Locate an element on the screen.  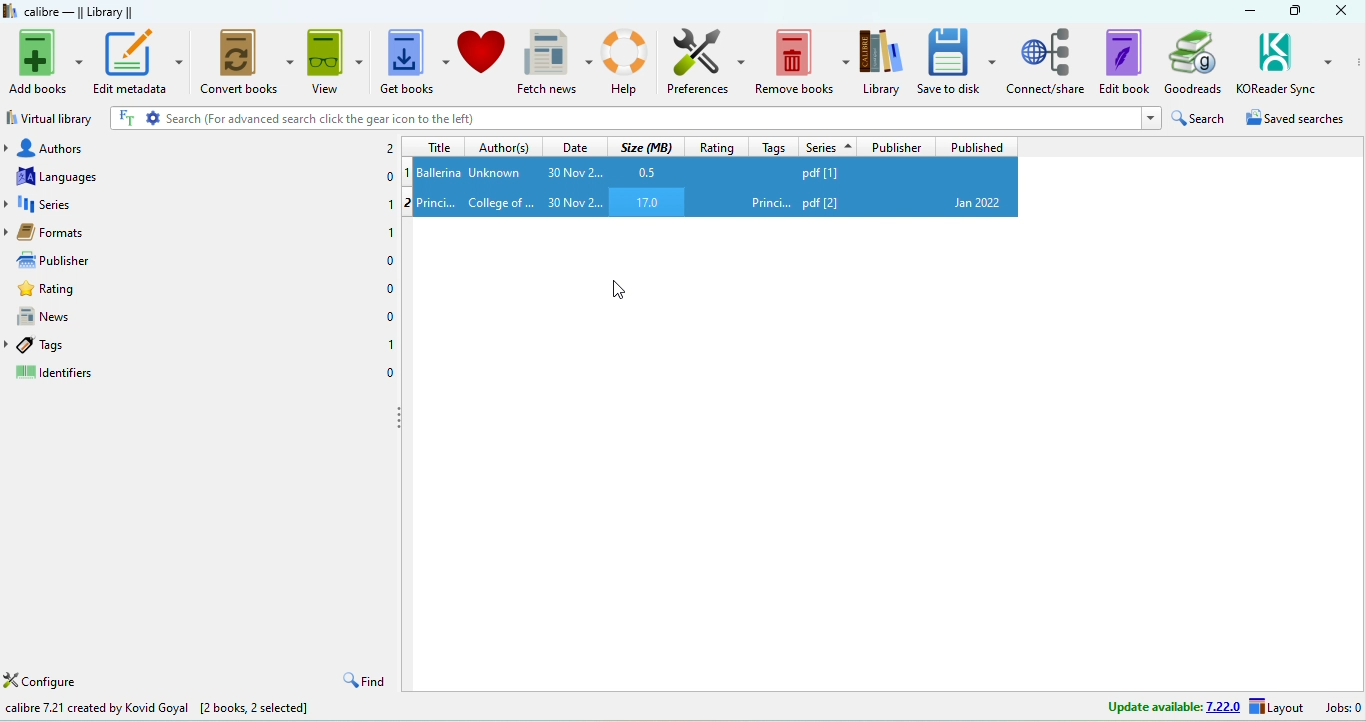
Get books is located at coordinates (415, 60).